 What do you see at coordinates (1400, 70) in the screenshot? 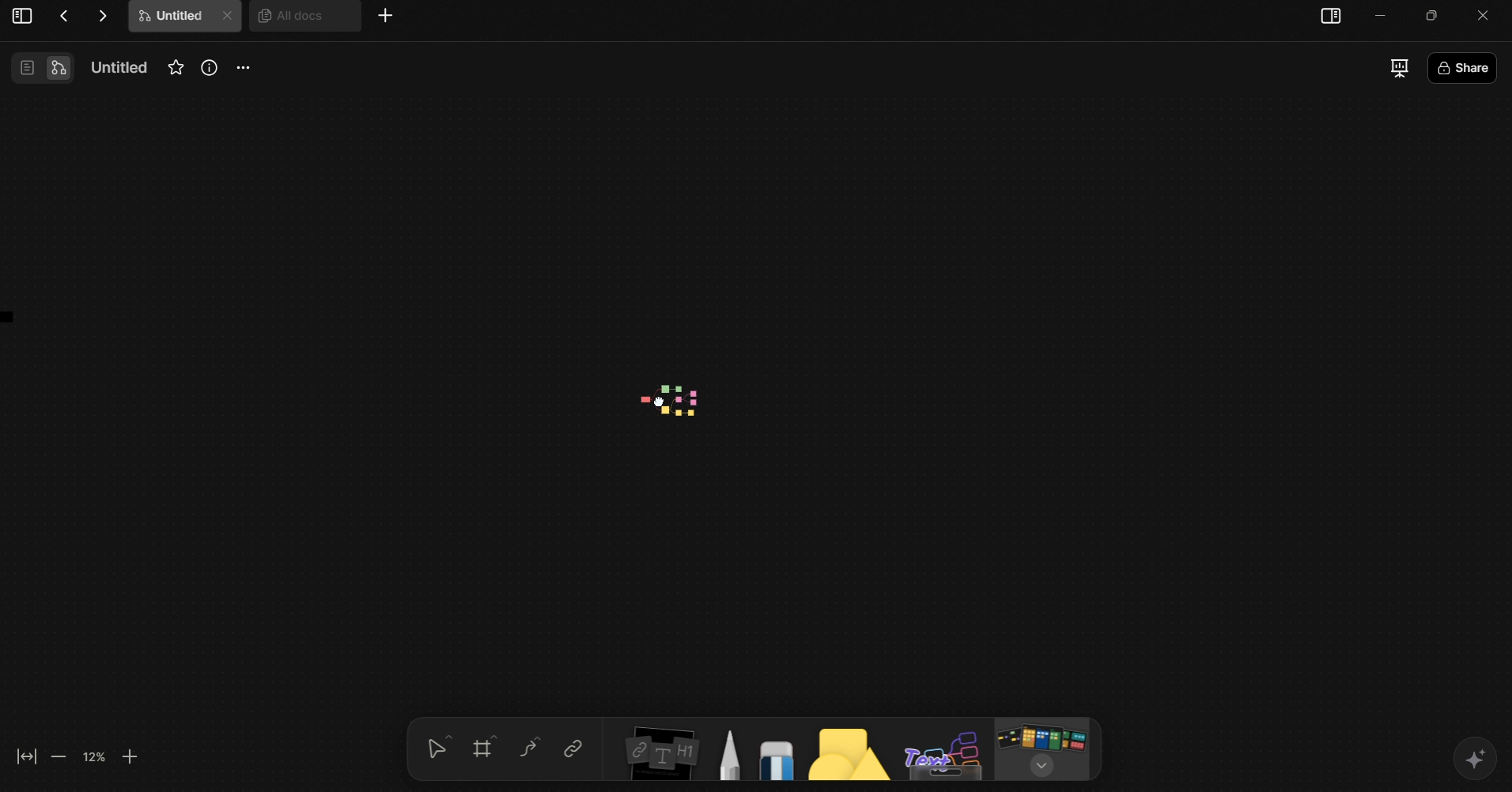
I see `Presentation Mode` at bounding box center [1400, 70].